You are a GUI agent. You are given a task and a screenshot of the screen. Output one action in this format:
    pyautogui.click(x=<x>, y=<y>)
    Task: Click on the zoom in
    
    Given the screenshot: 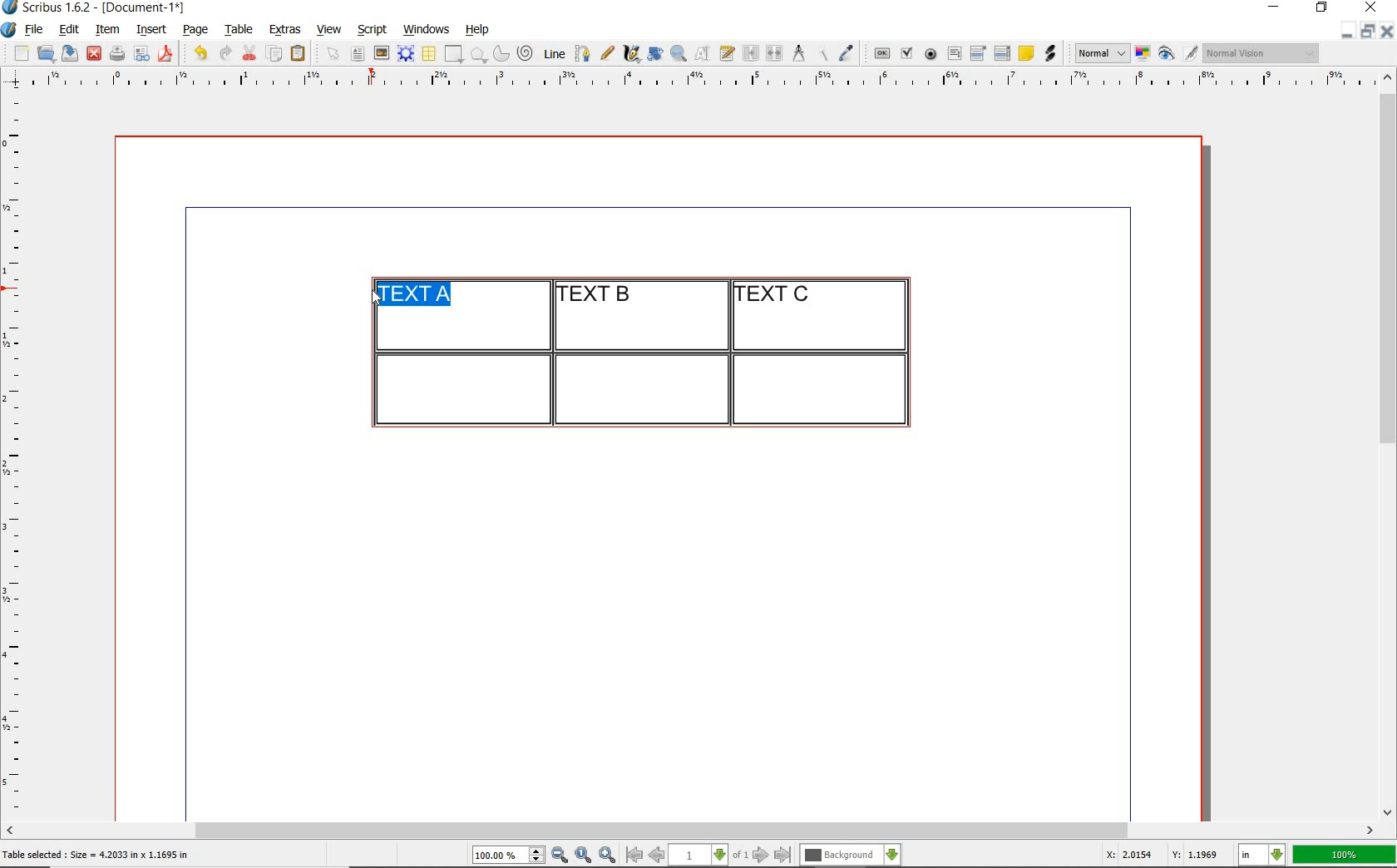 What is the action you would take?
    pyautogui.click(x=608, y=856)
    